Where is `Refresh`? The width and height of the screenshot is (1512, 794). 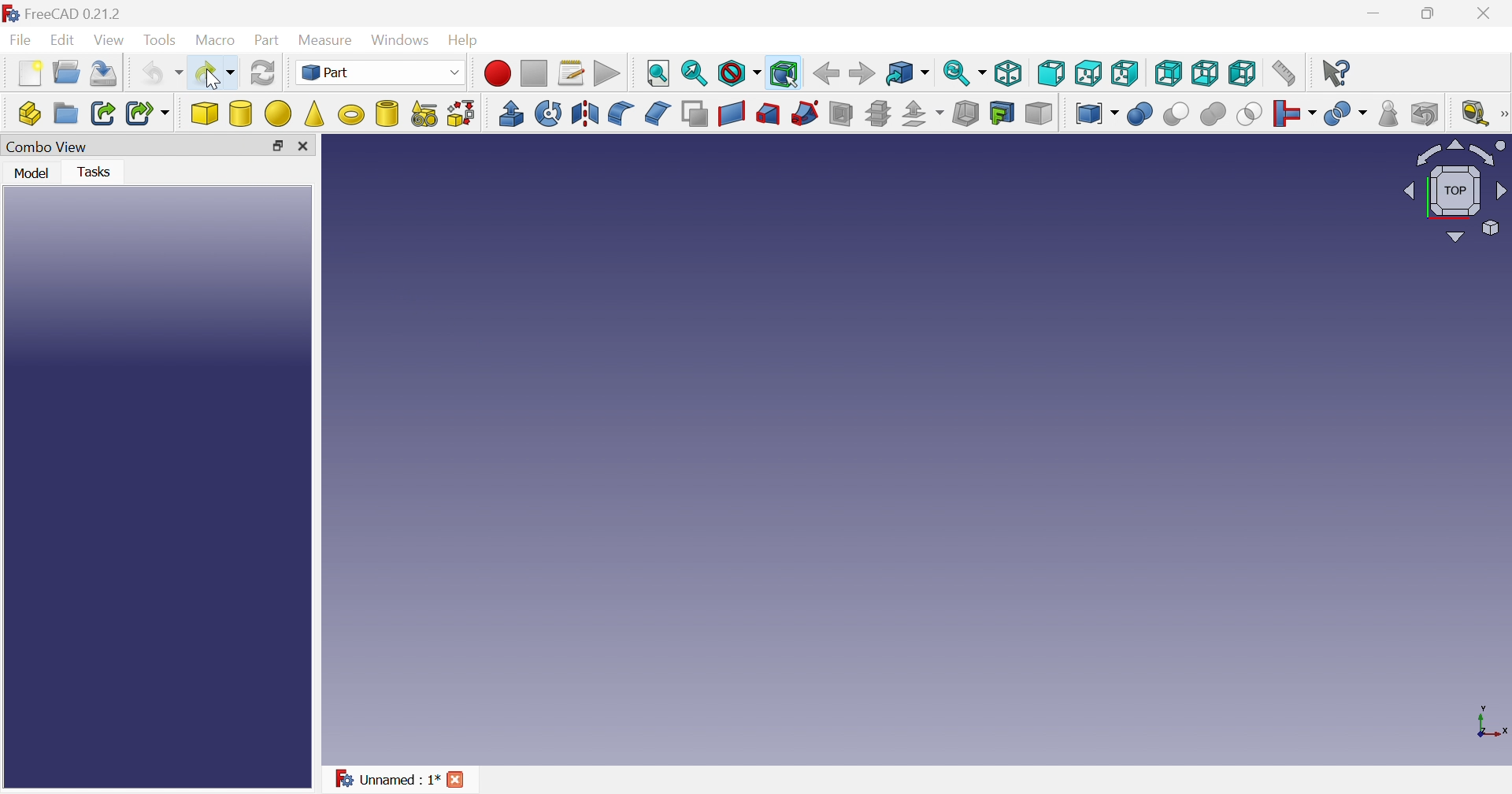
Refresh is located at coordinates (264, 72).